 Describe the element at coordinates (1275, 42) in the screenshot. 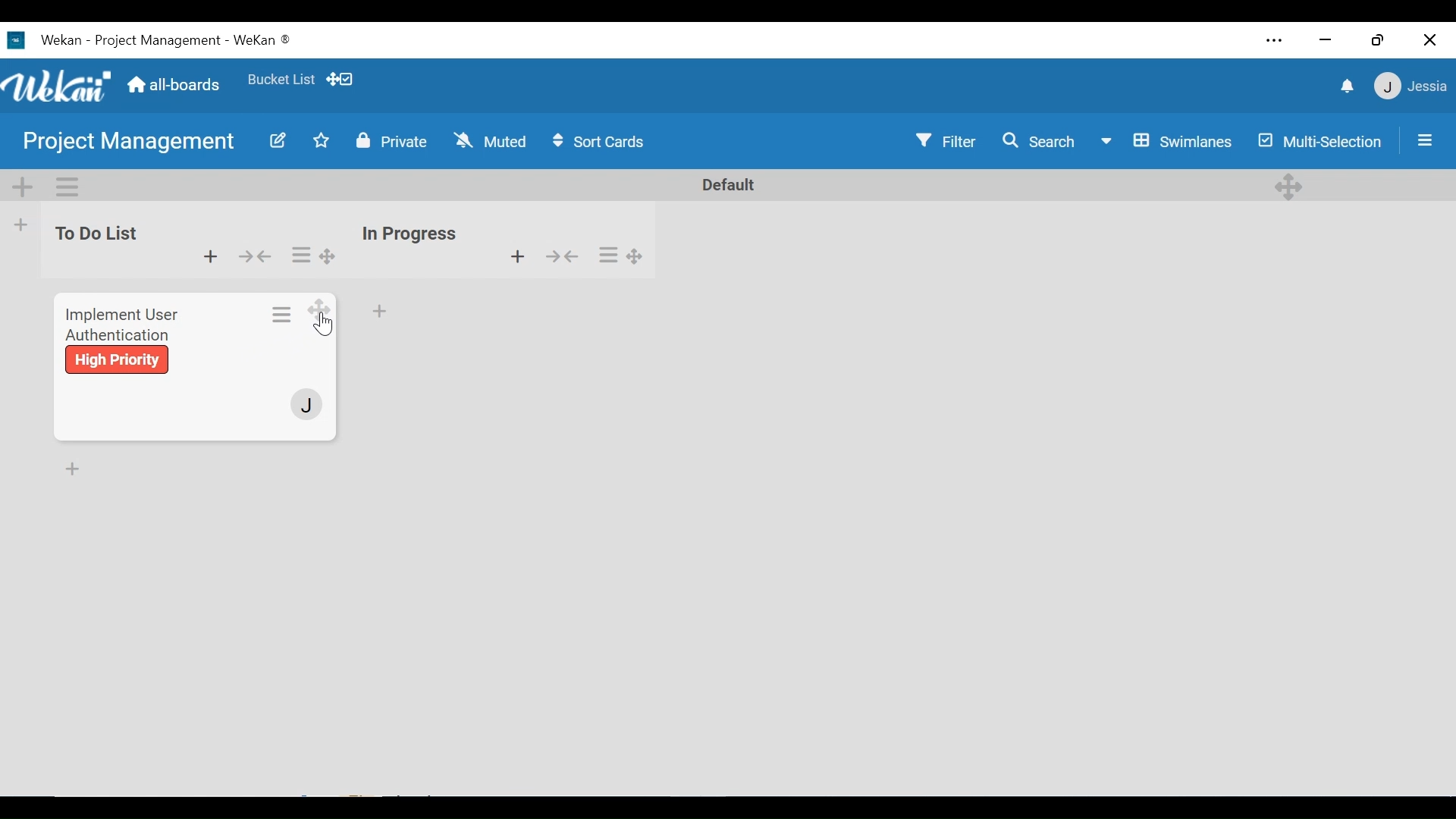

I see `Settings and more` at that location.